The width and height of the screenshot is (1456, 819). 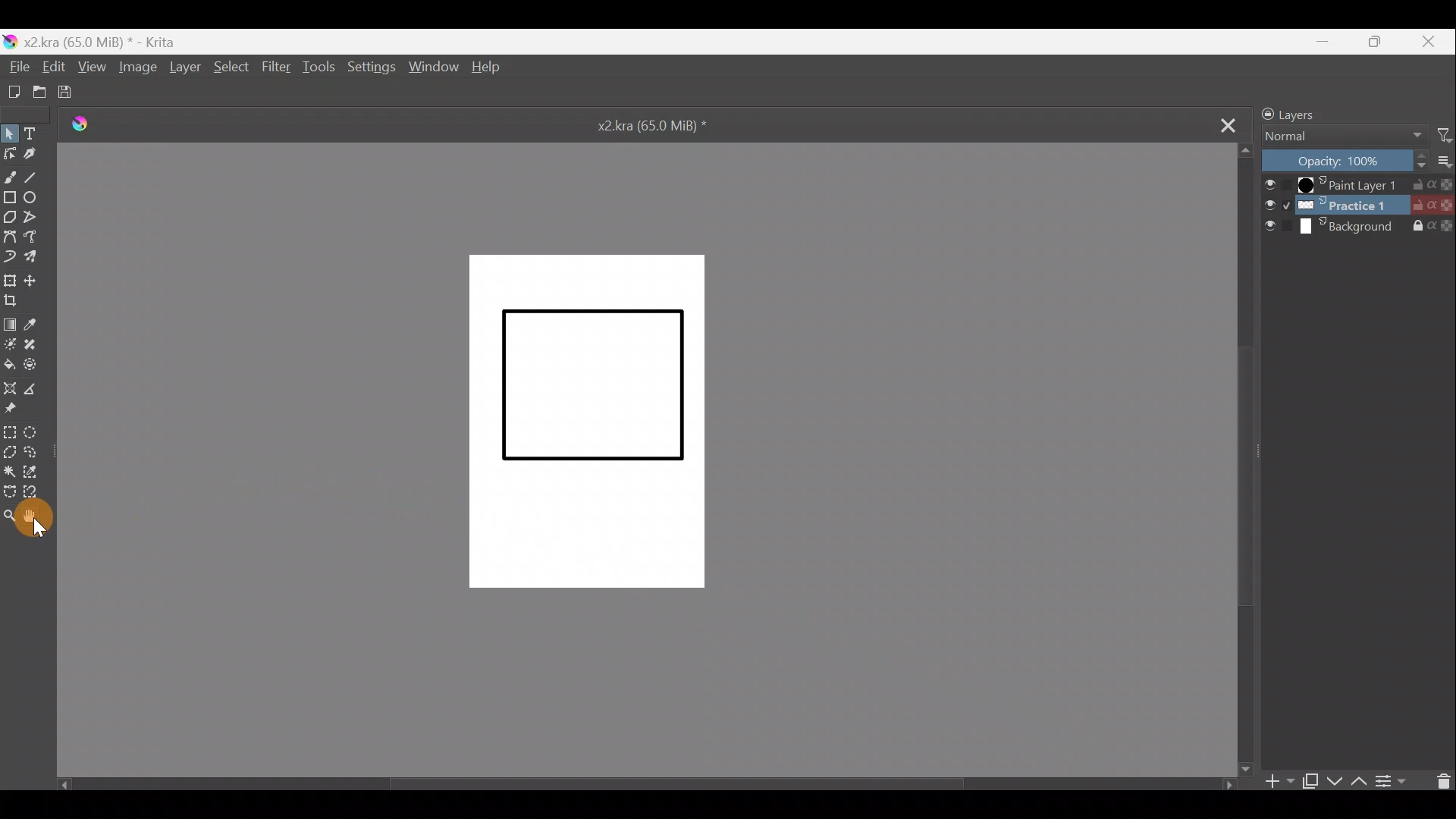 What do you see at coordinates (14, 301) in the screenshot?
I see `Crop image to an area` at bounding box center [14, 301].